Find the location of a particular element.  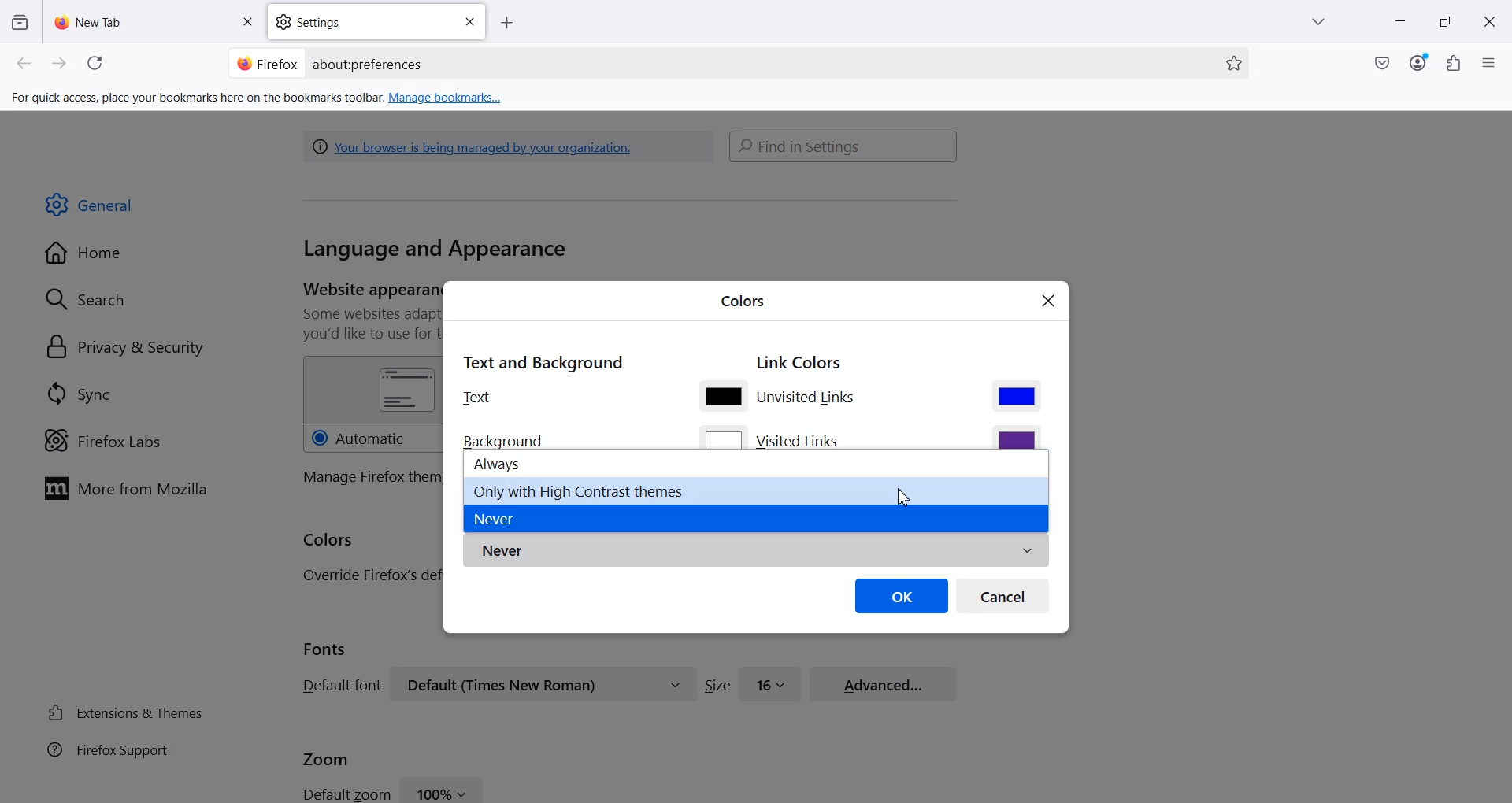

Q Search is located at coordinates (93, 298).